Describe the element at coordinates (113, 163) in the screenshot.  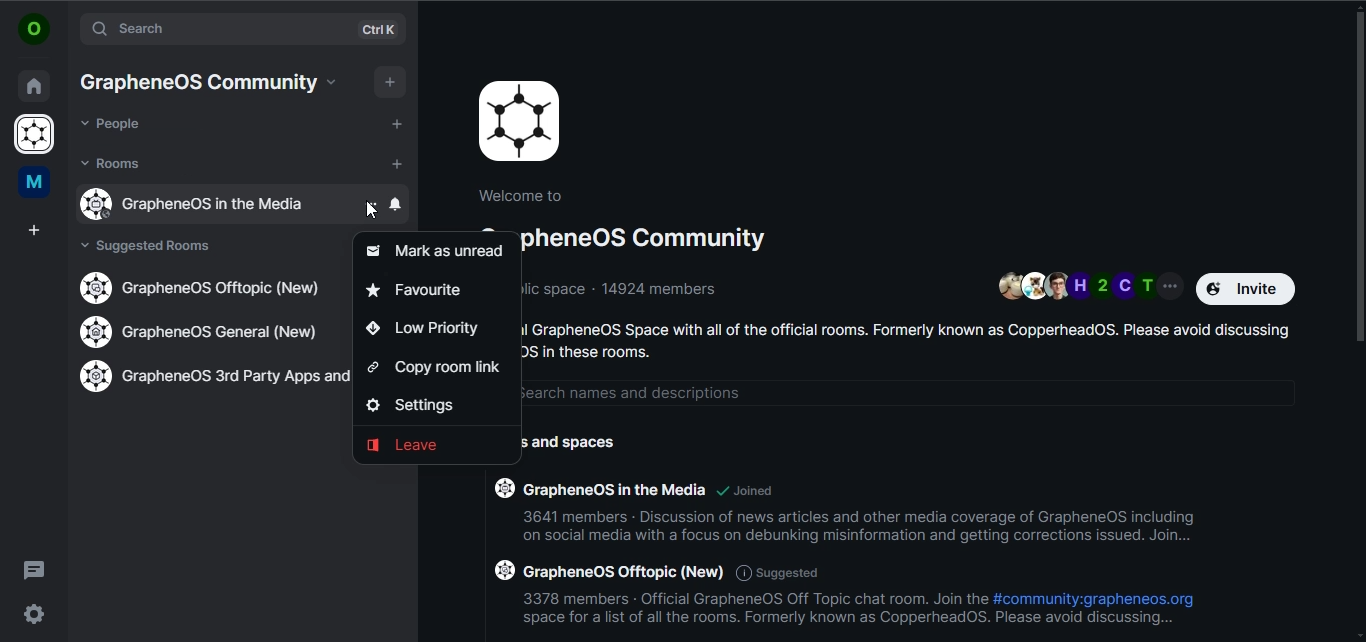
I see `rooms` at that location.